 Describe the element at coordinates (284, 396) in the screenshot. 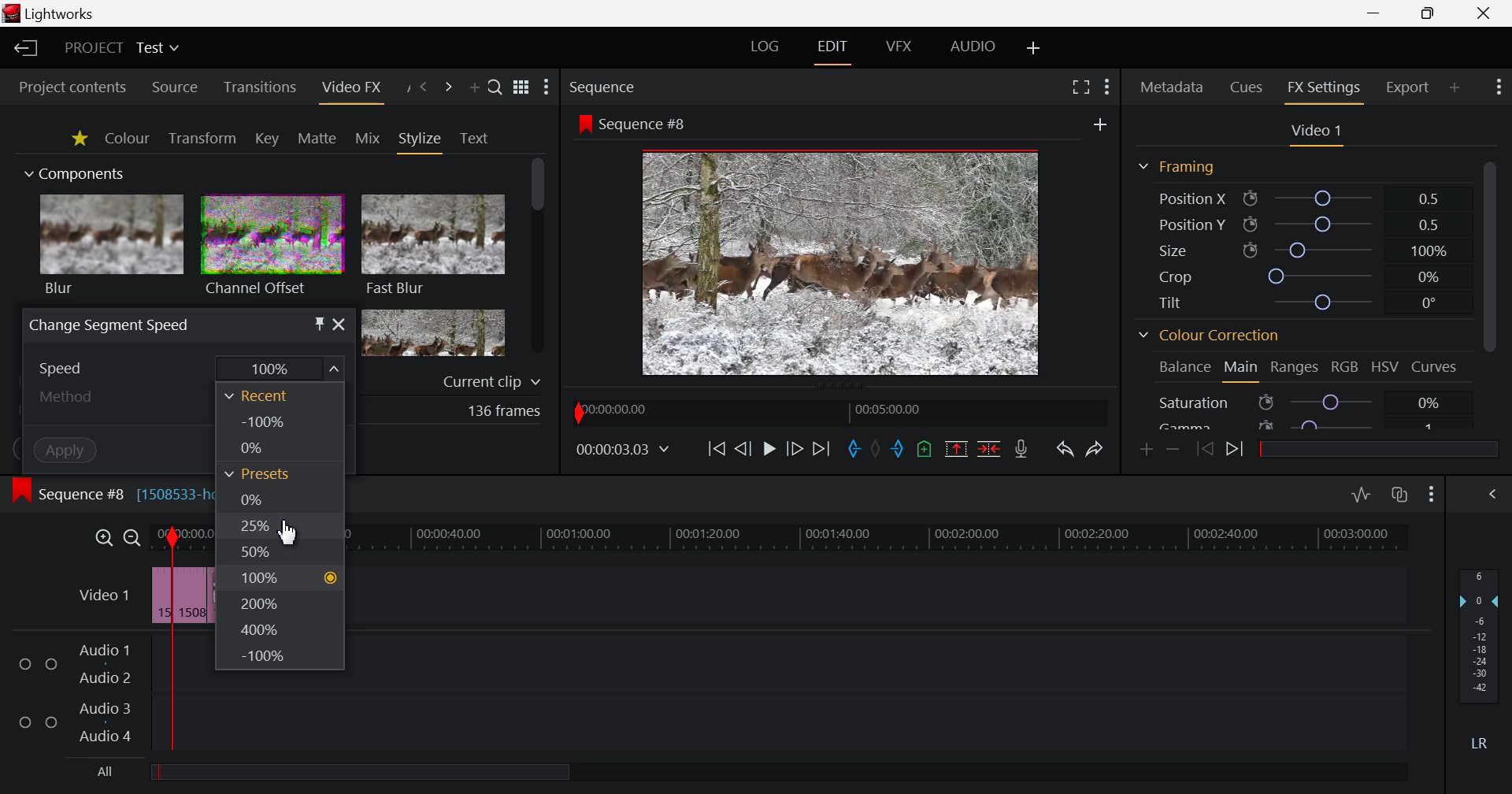

I see `Recent` at that location.